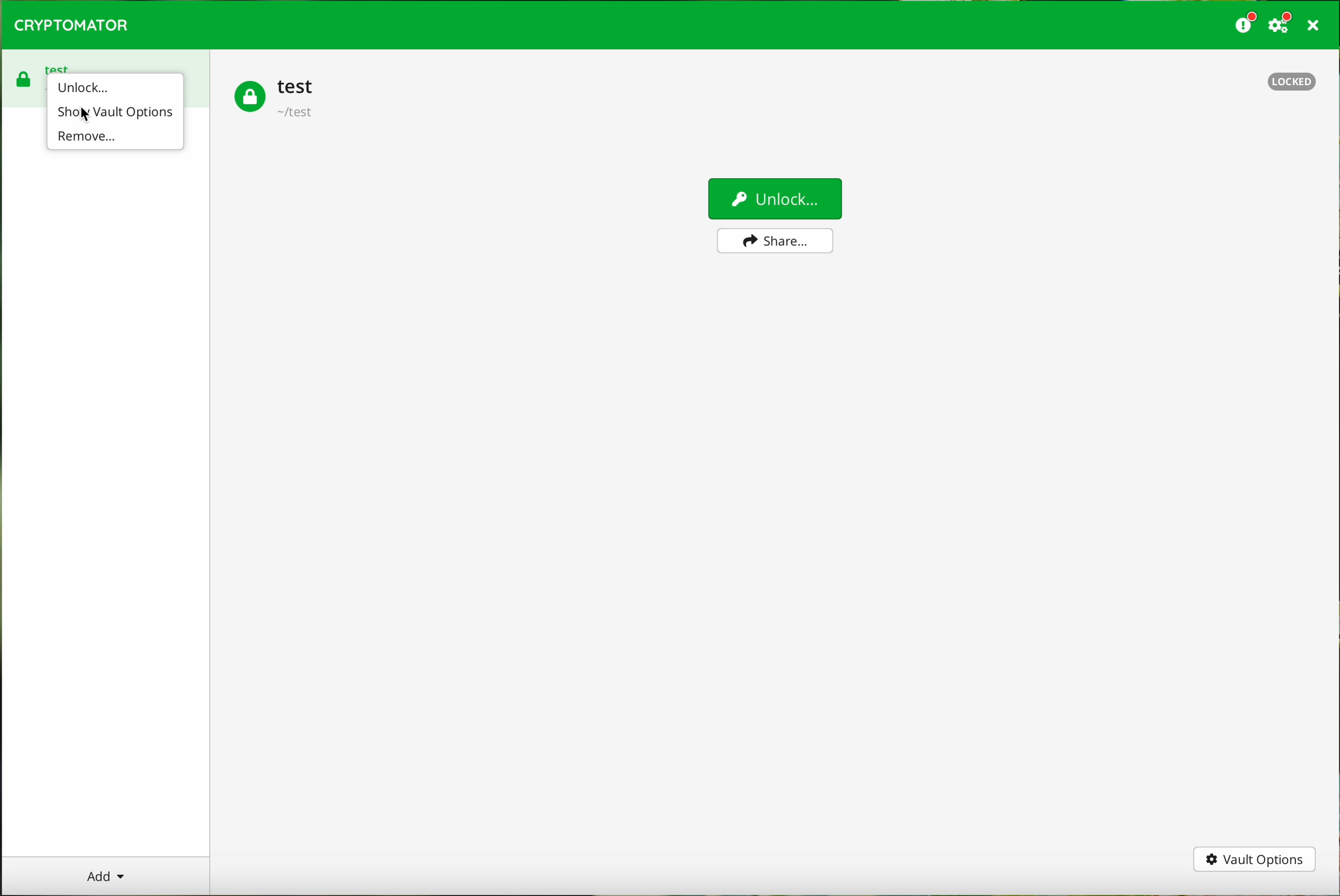  I want to click on locked, so click(1290, 81).